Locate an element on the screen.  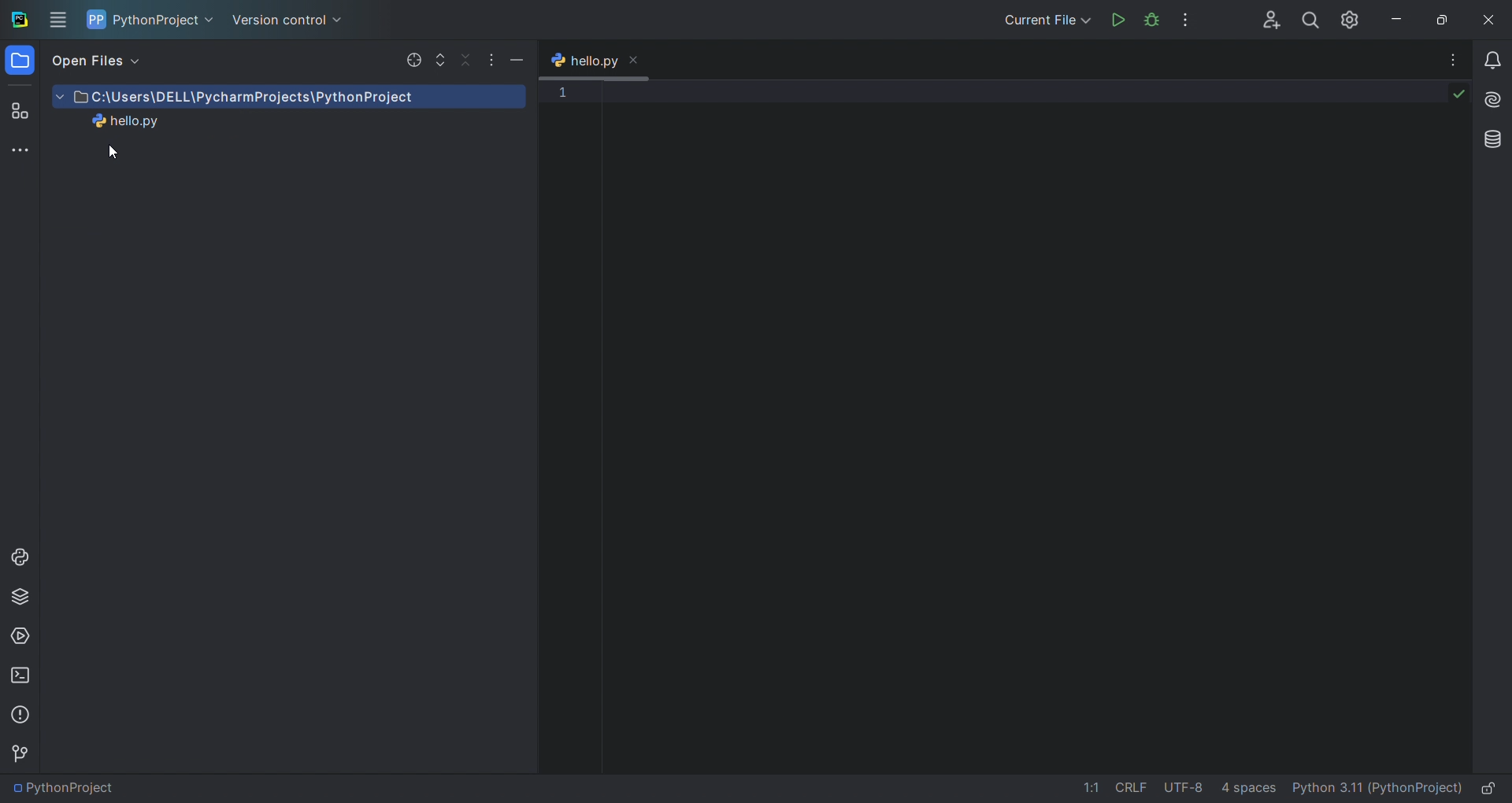
interpreter is located at coordinates (1376, 790).